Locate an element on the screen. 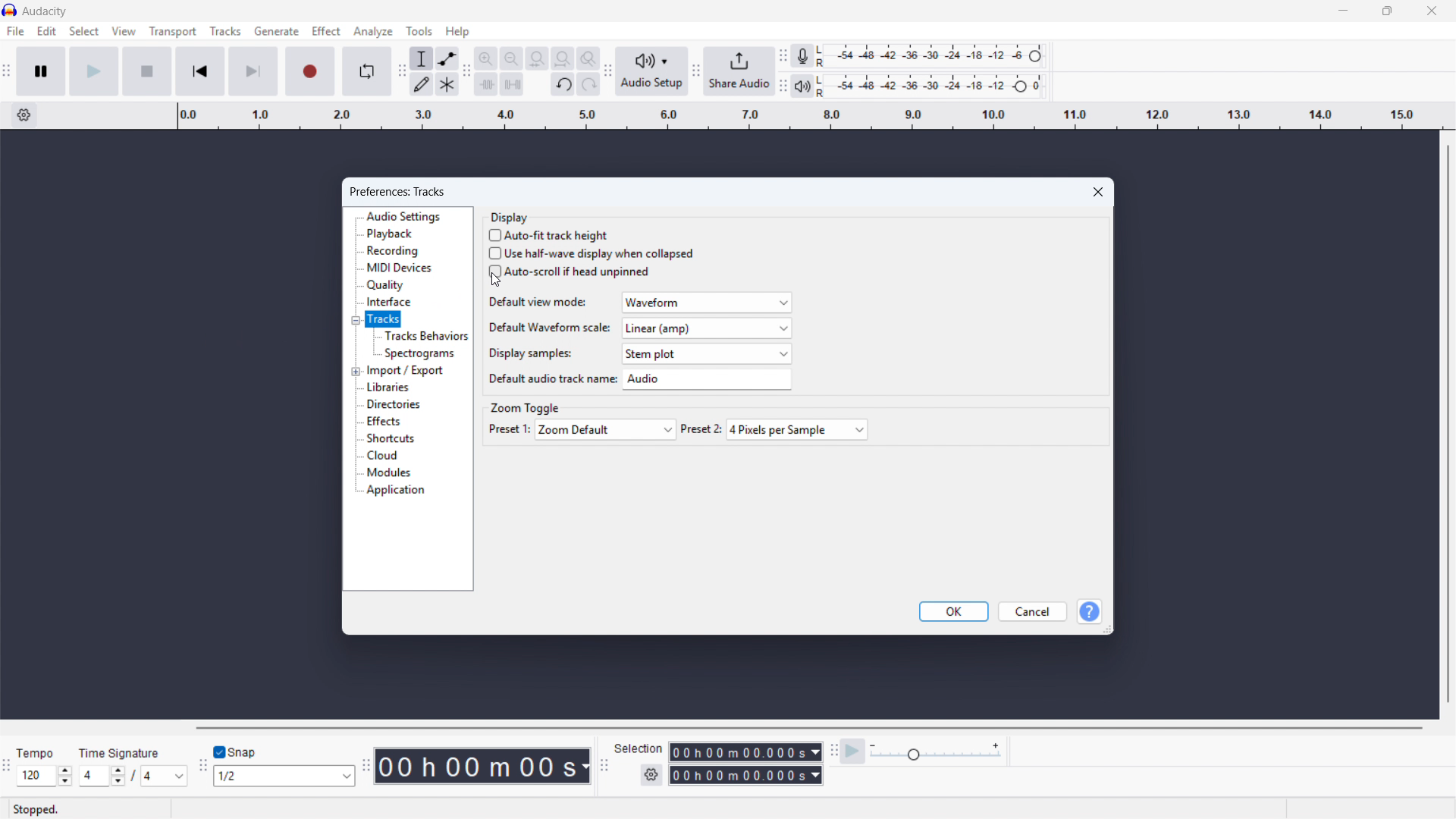 This screenshot has width=1456, height=819. expand is located at coordinates (356, 371).